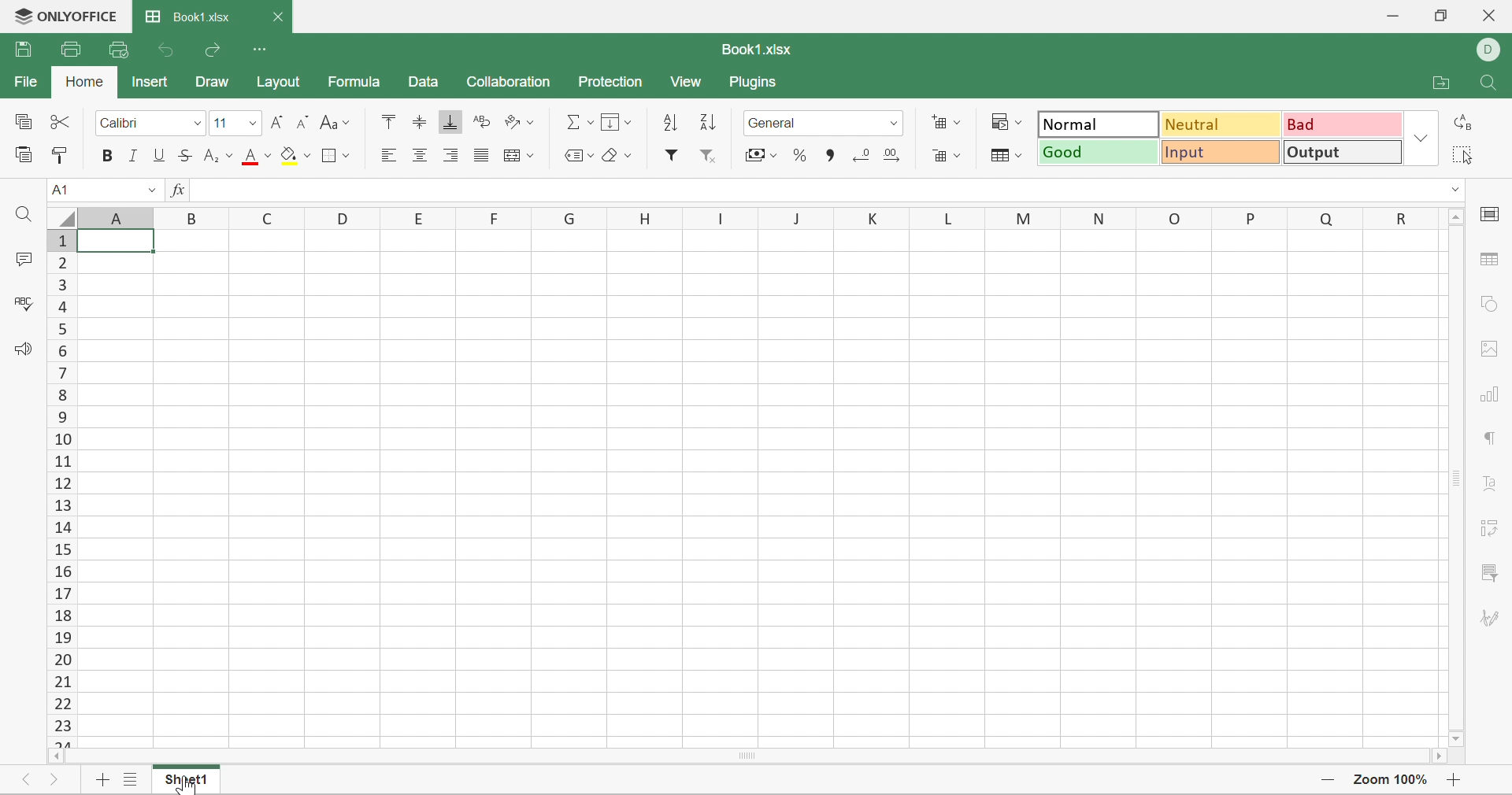 This screenshot has height=795, width=1512. I want to click on 14, so click(62, 528).